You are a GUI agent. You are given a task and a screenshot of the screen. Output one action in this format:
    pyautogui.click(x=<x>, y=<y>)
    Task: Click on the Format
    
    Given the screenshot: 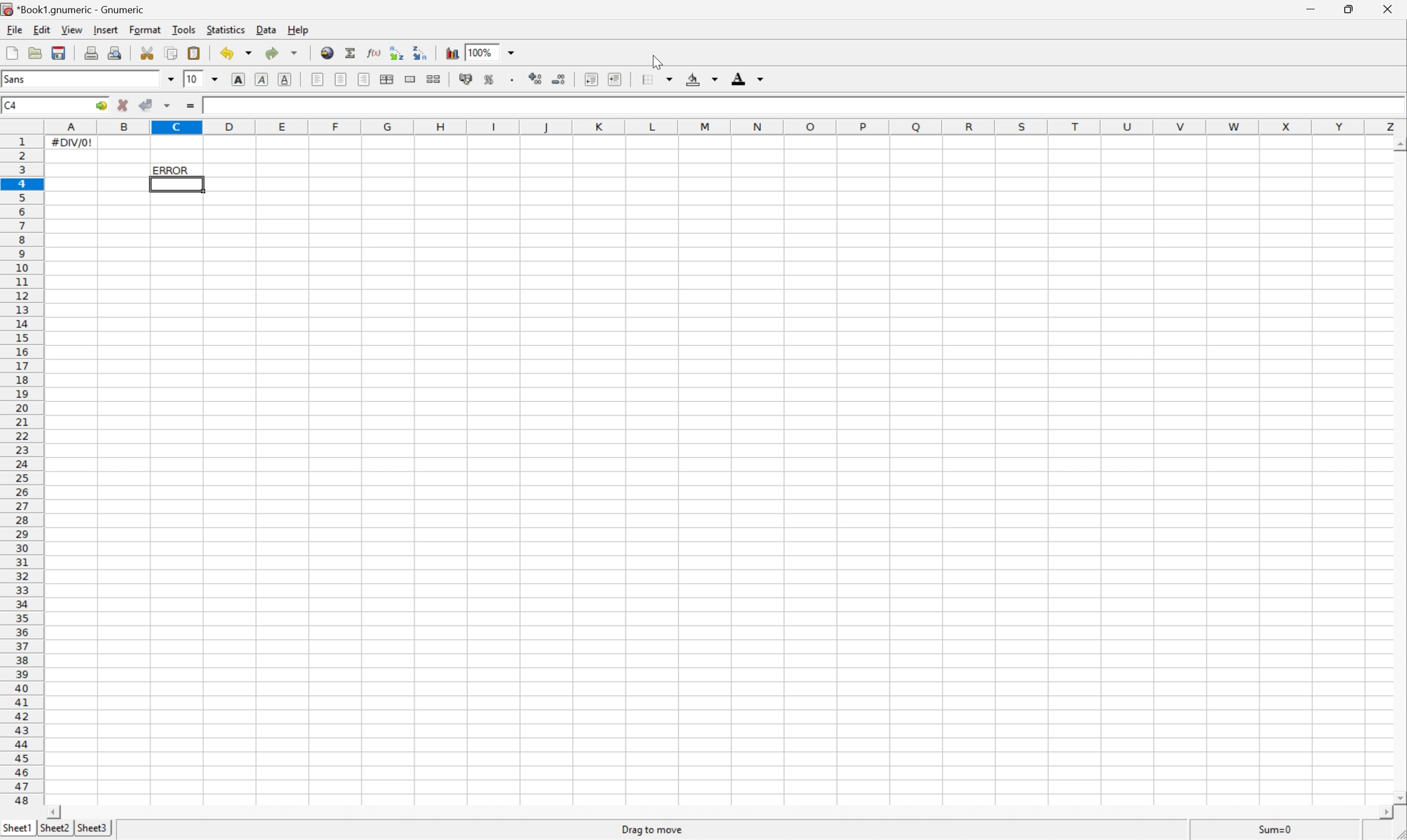 What is the action you would take?
    pyautogui.click(x=146, y=29)
    